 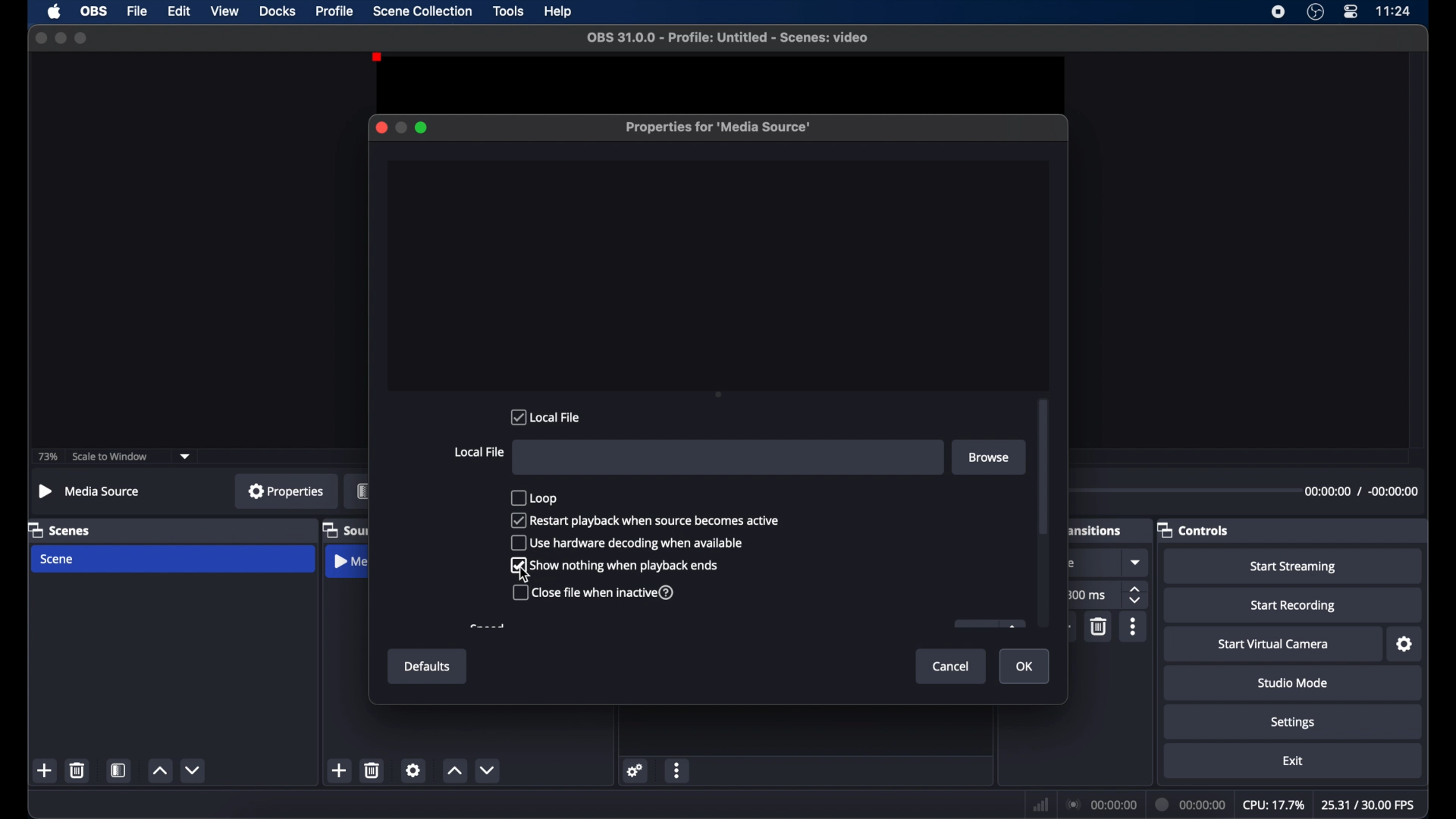 What do you see at coordinates (47, 457) in the screenshot?
I see `73%` at bounding box center [47, 457].